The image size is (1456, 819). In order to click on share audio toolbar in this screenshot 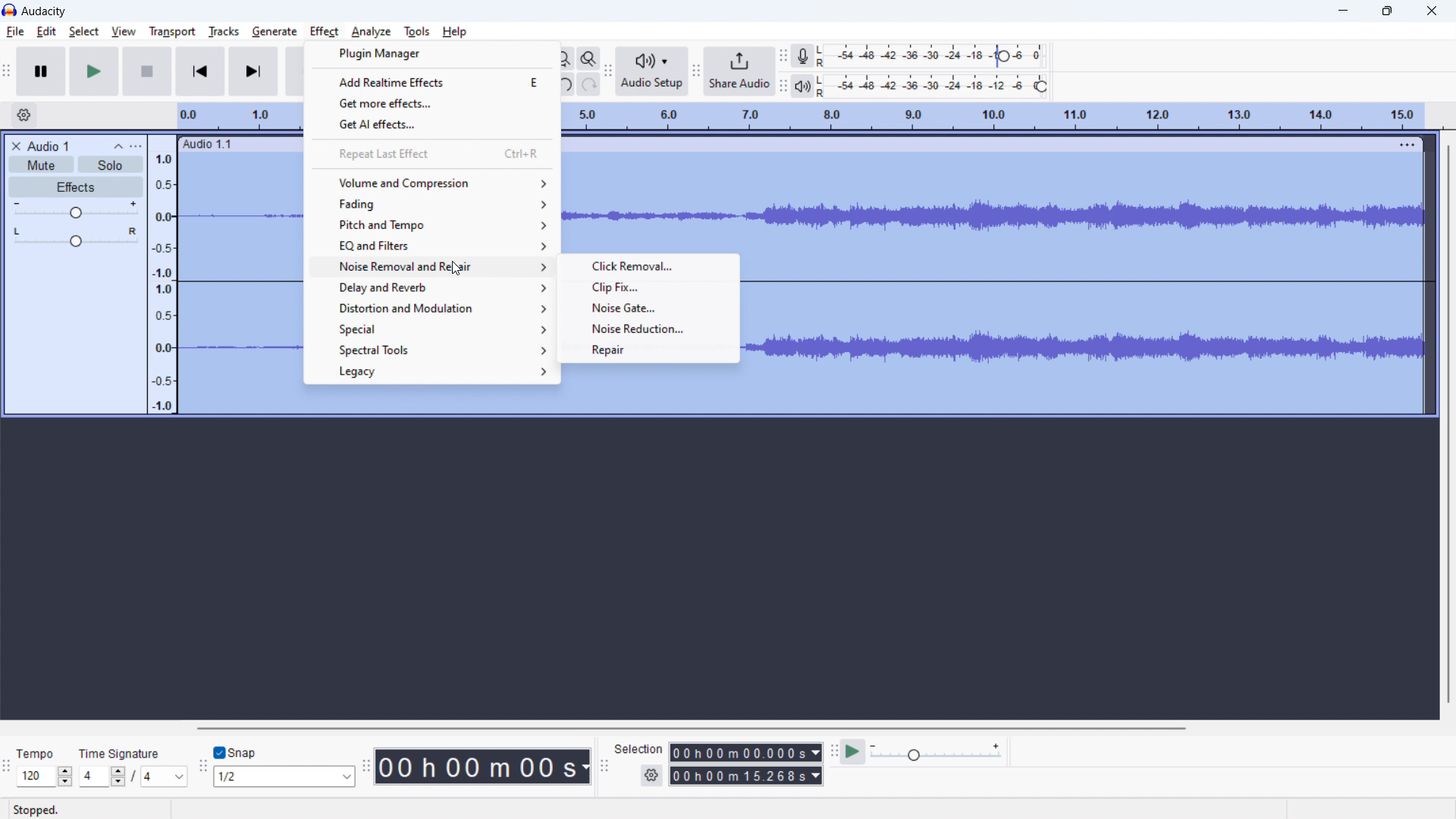, I will do `click(695, 70)`.